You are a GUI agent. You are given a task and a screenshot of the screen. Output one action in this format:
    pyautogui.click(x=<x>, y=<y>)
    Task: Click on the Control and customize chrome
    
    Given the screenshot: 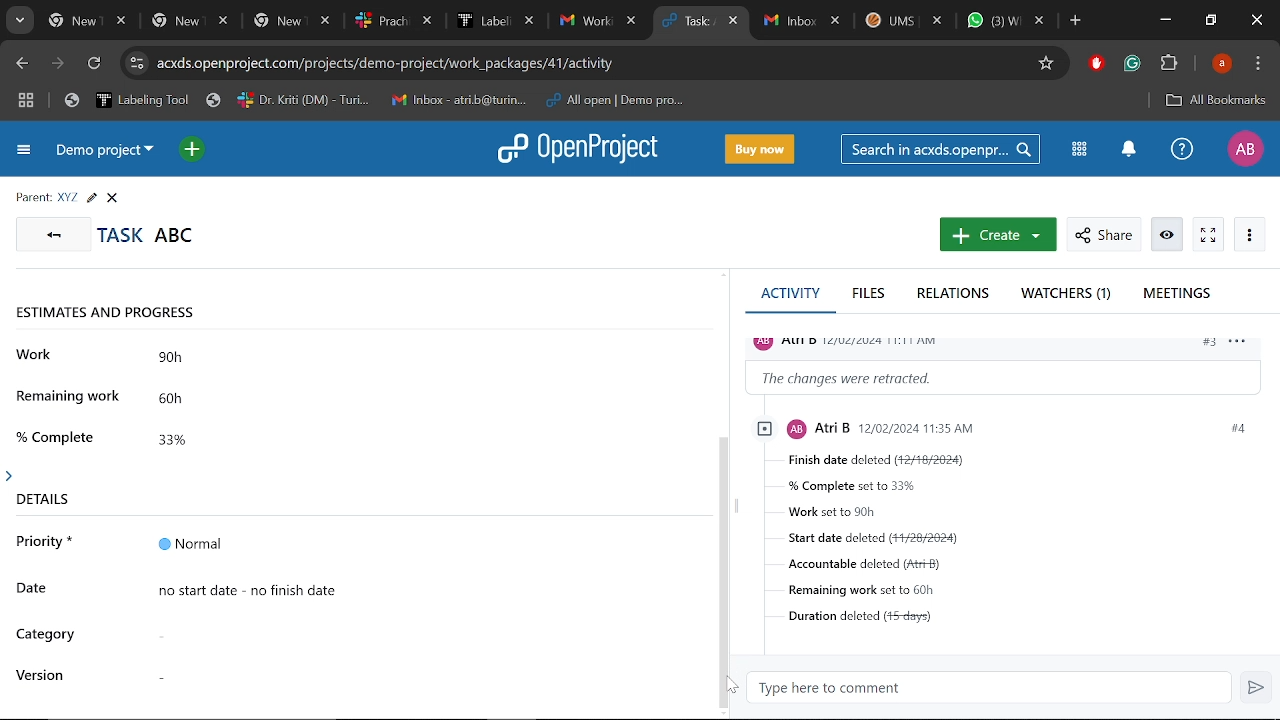 What is the action you would take?
    pyautogui.click(x=1260, y=64)
    